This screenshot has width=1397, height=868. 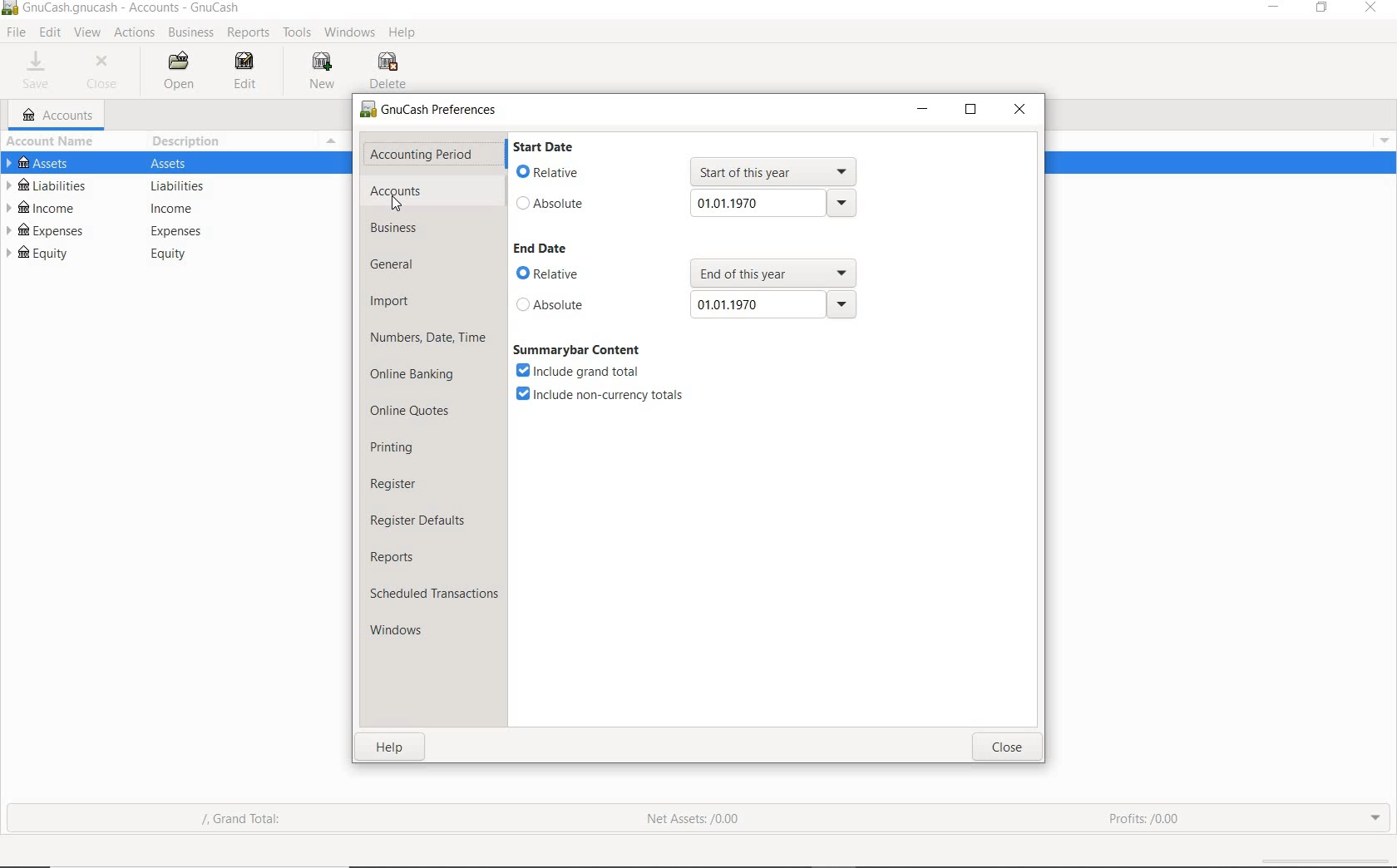 I want to click on start date, so click(x=542, y=145).